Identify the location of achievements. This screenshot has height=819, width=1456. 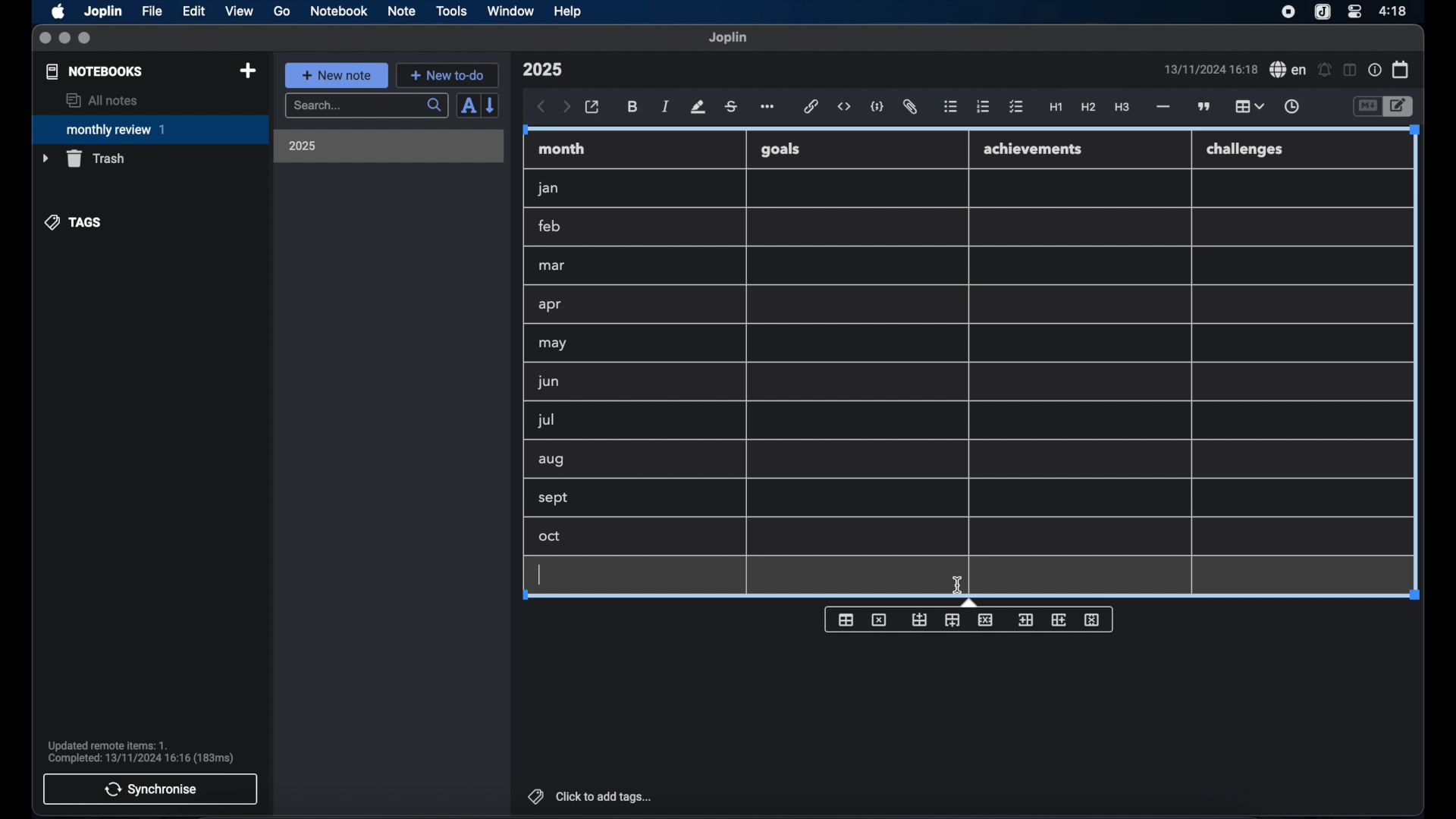
(1034, 149).